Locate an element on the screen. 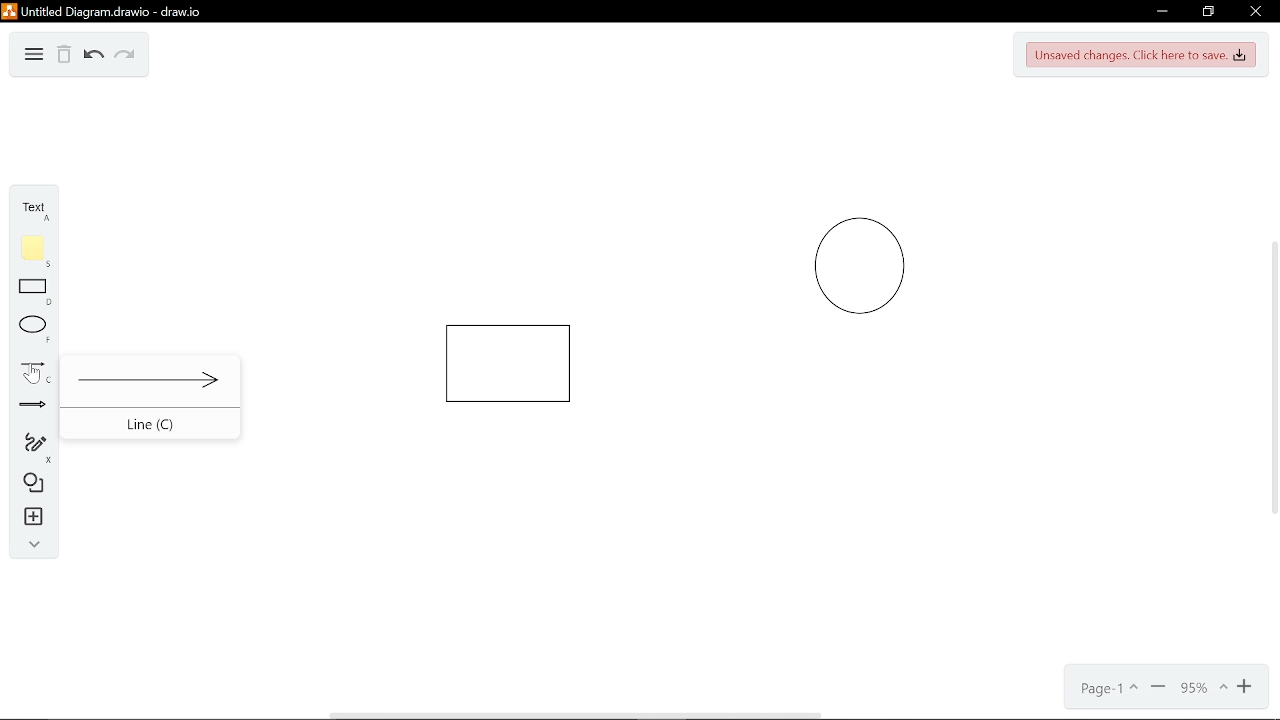  Insert is located at coordinates (29, 517).